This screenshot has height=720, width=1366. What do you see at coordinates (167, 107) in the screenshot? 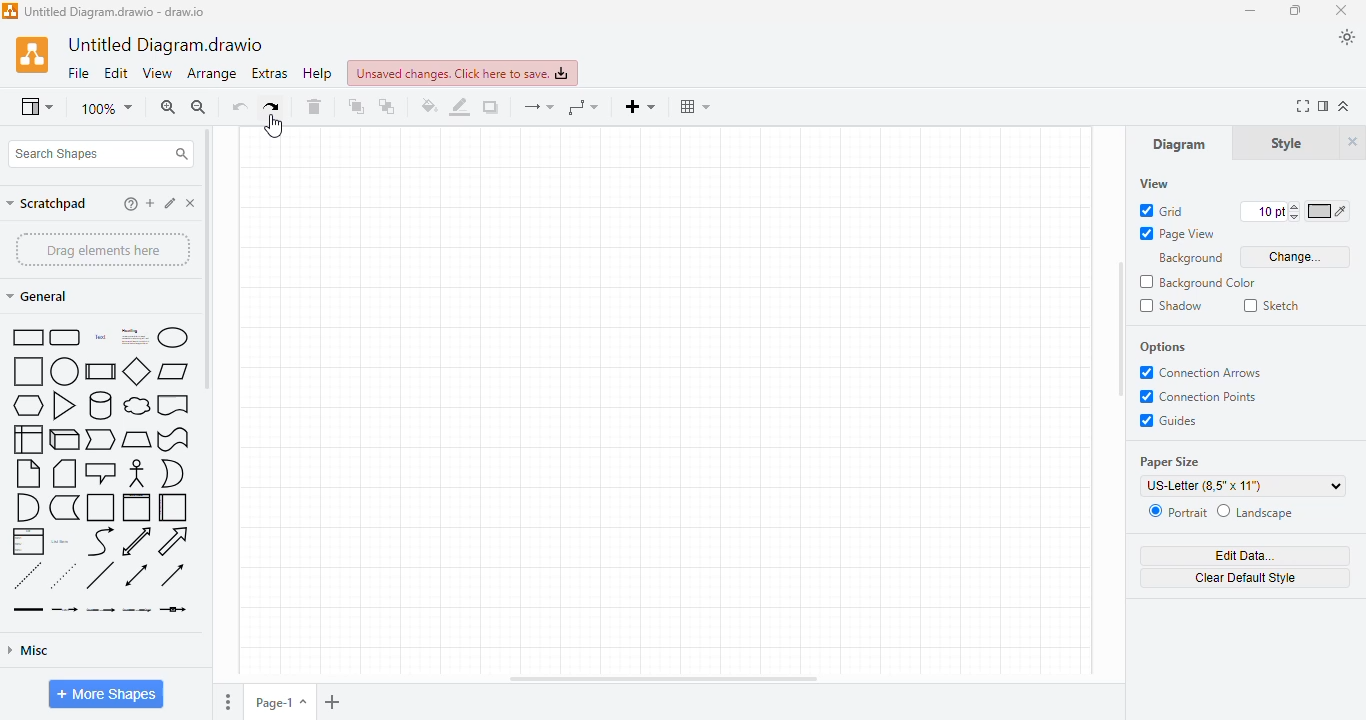
I see `zoom in` at bounding box center [167, 107].